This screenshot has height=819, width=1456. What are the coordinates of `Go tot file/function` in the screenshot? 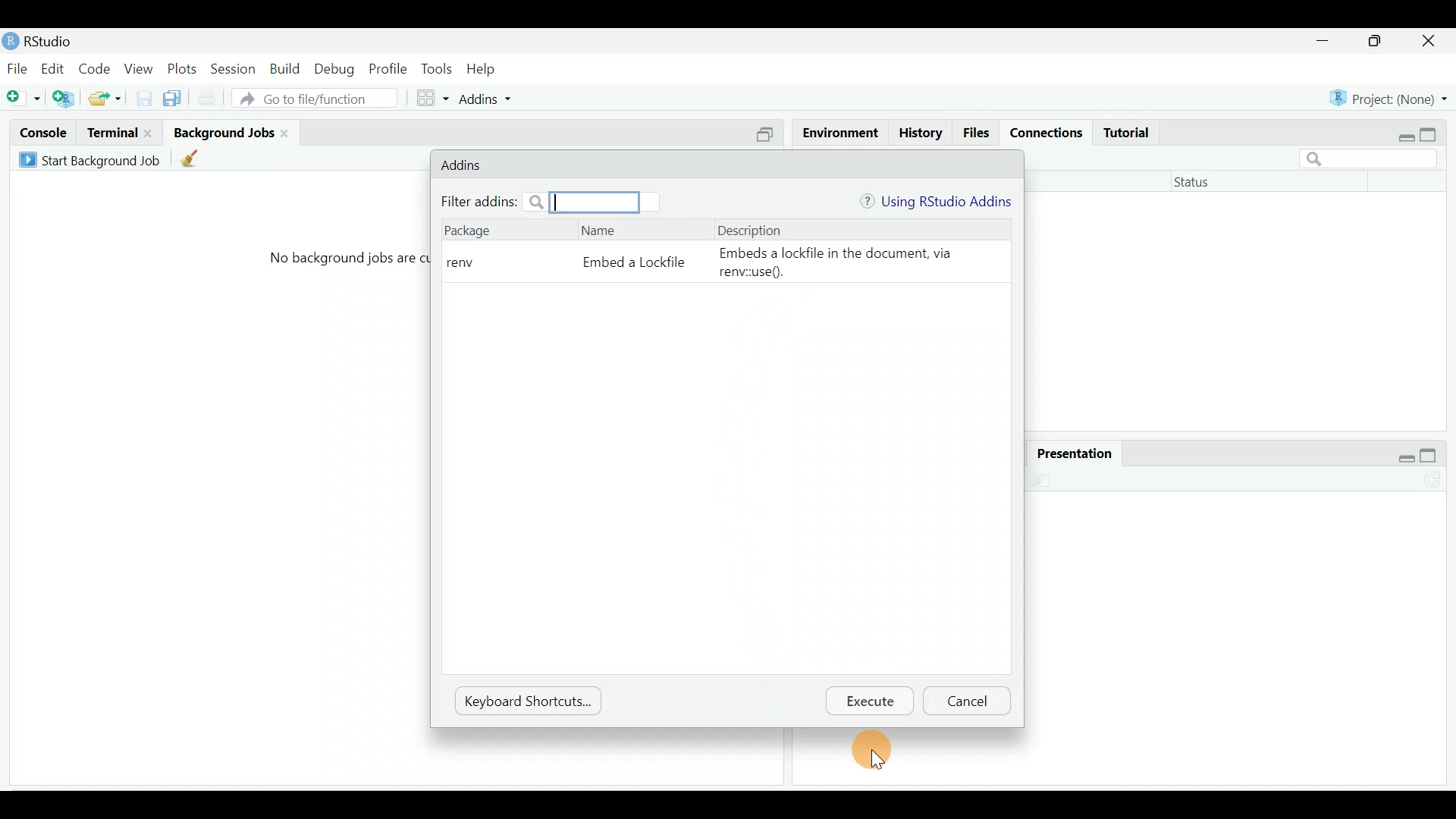 It's located at (319, 99).